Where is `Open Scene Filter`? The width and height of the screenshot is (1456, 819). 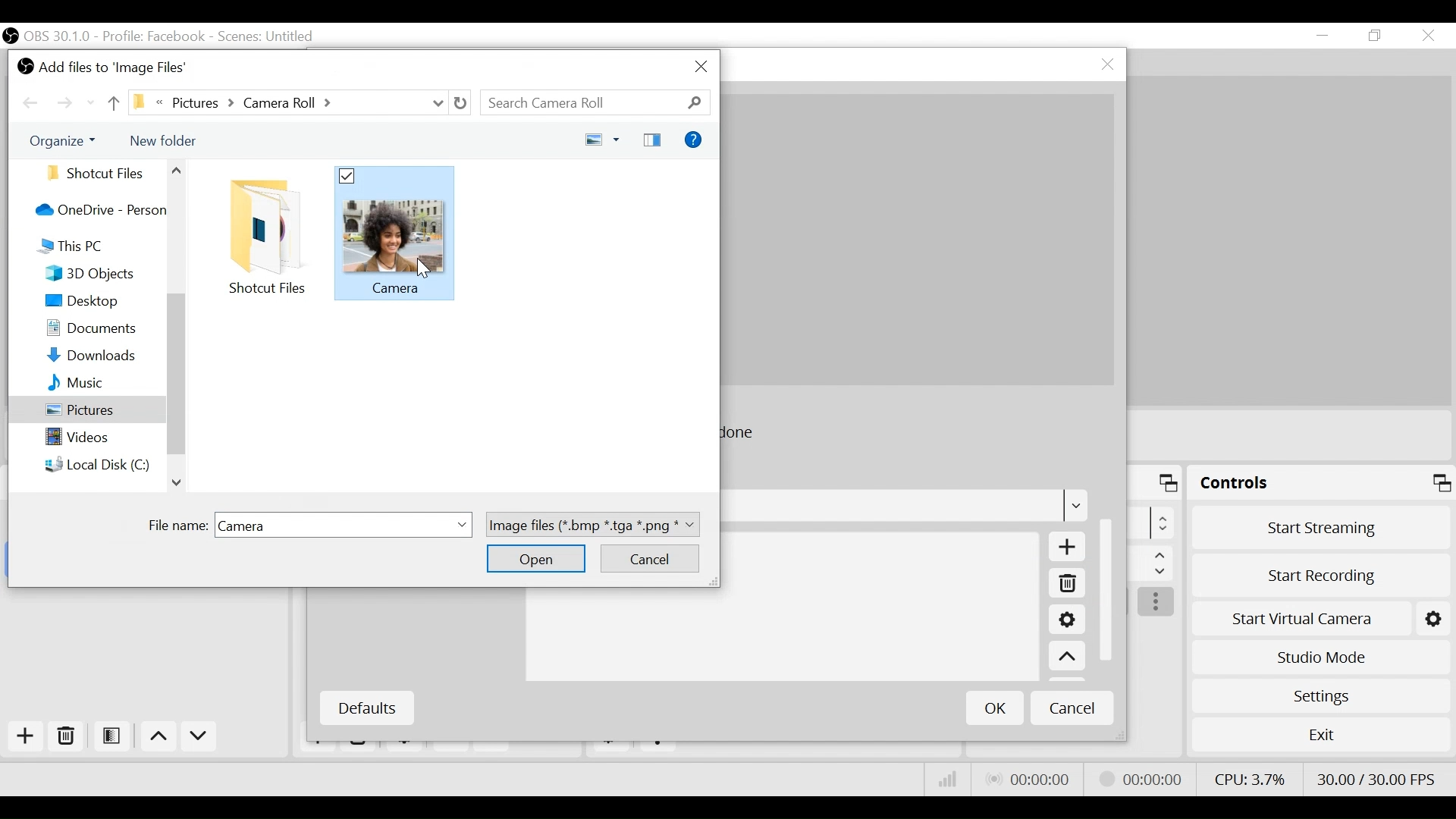 Open Scene Filter is located at coordinates (115, 737).